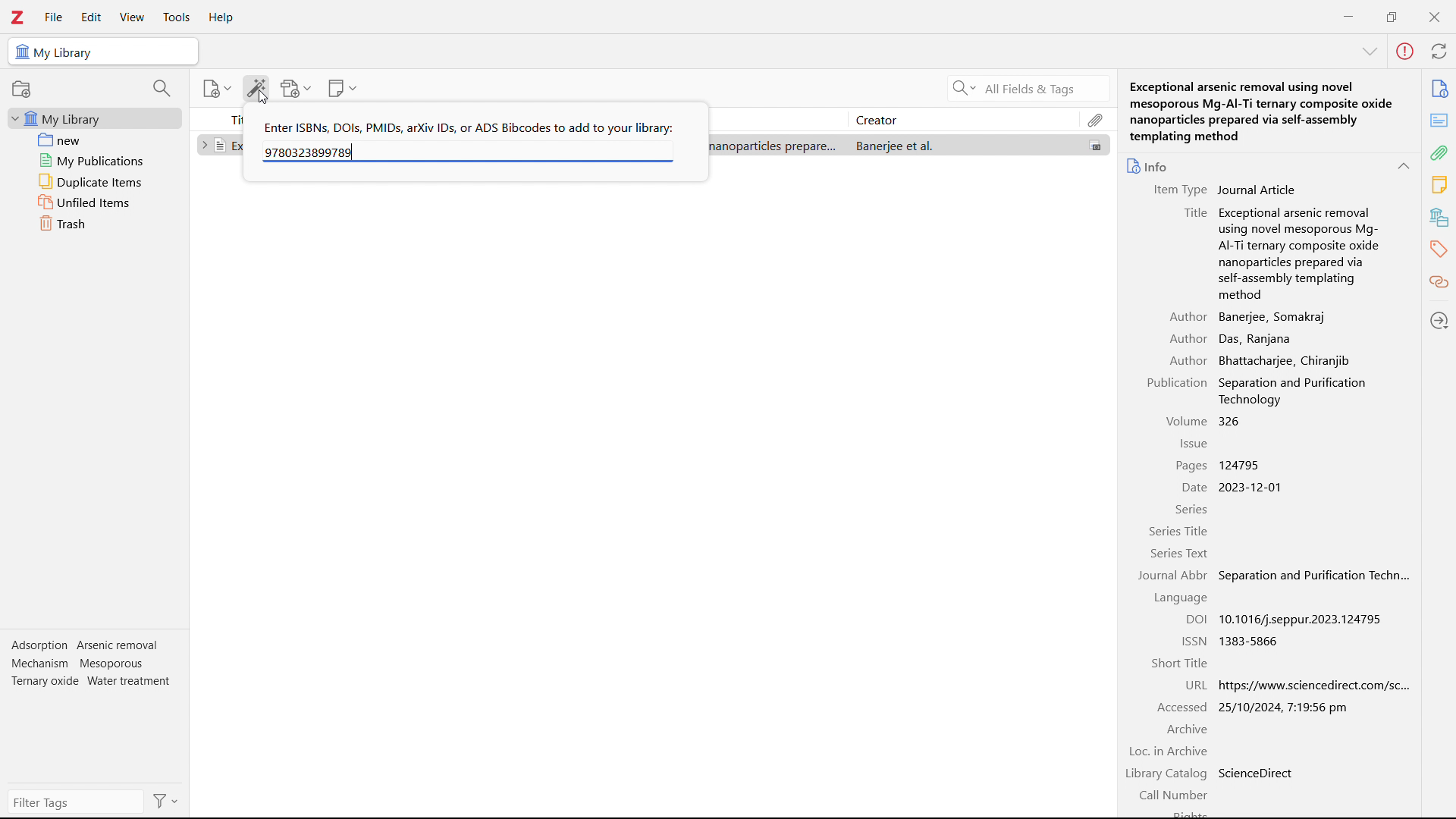 This screenshot has width=1456, height=819. I want to click on Series text, so click(1179, 554).